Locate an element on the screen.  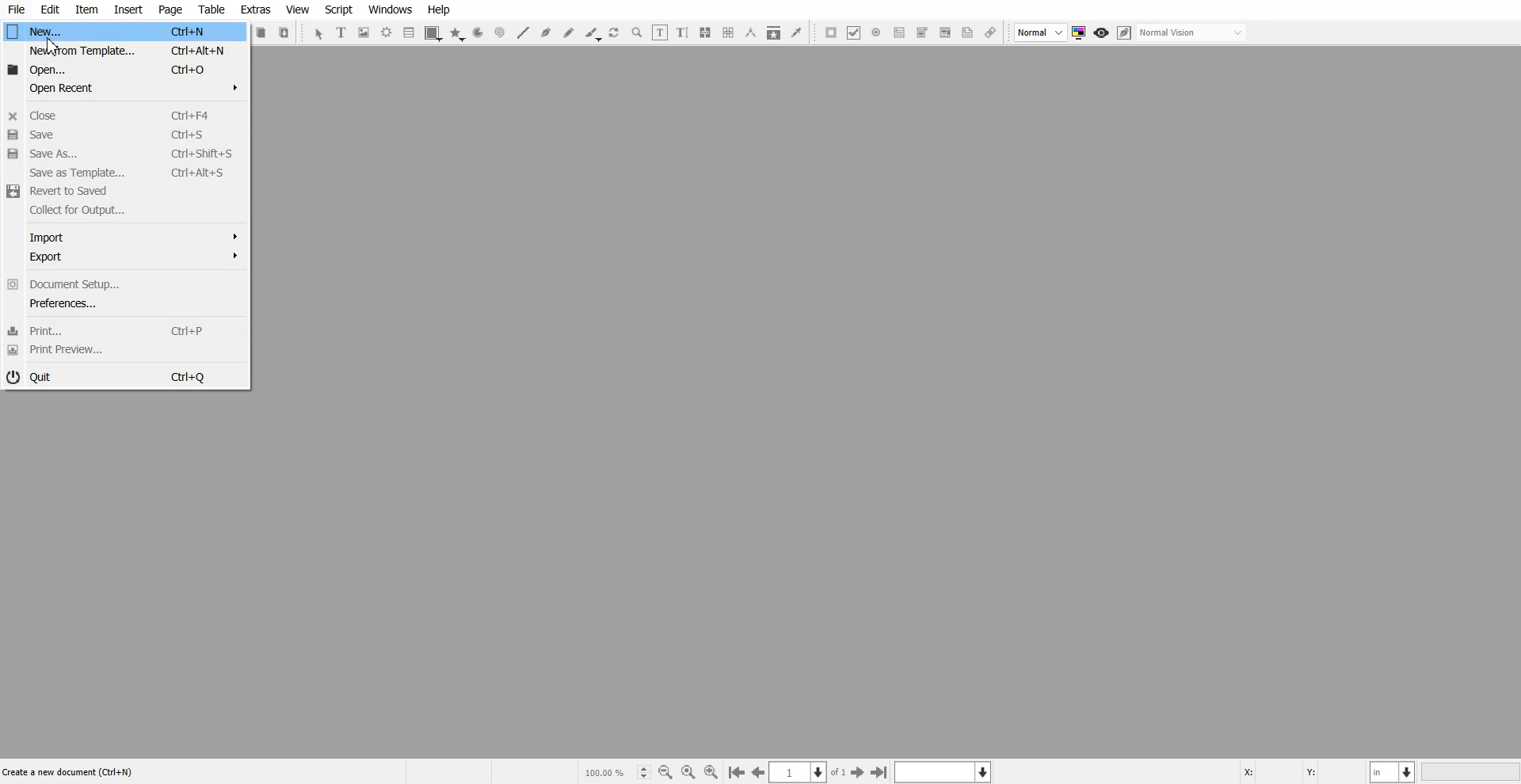
PDF Push button is located at coordinates (831, 32).